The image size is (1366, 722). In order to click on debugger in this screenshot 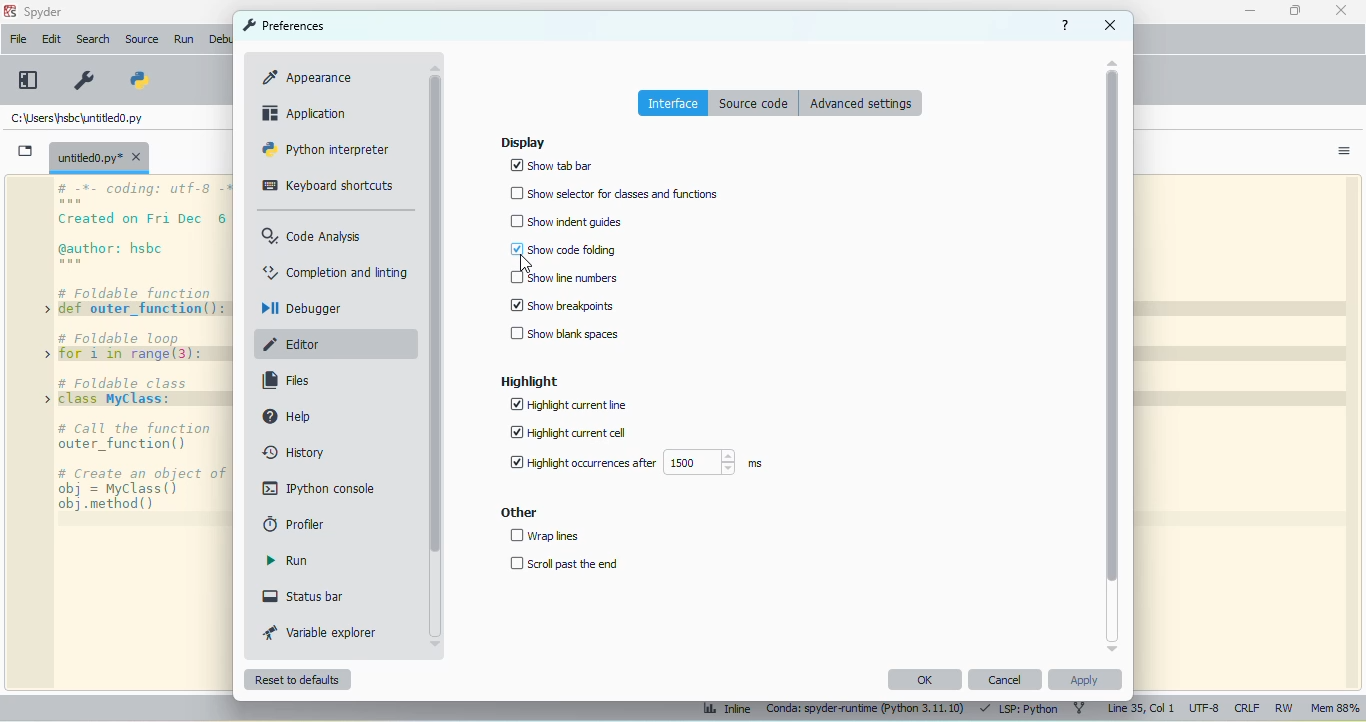, I will do `click(301, 308)`.